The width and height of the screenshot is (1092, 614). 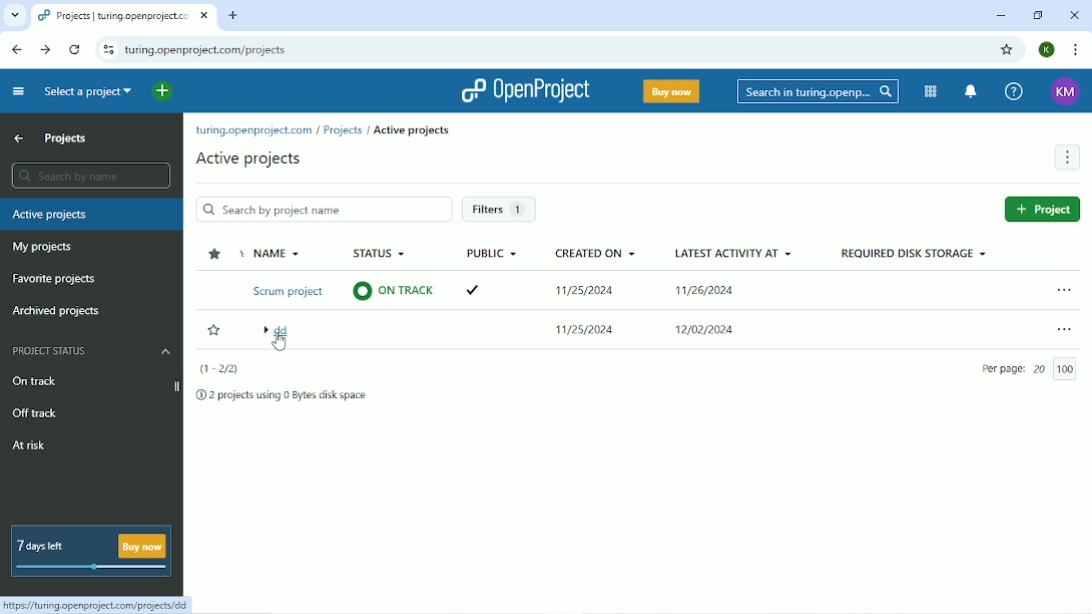 What do you see at coordinates (1037, 14) in the screenshot?
I see `Restore down` at bounding box center [1037, 14].